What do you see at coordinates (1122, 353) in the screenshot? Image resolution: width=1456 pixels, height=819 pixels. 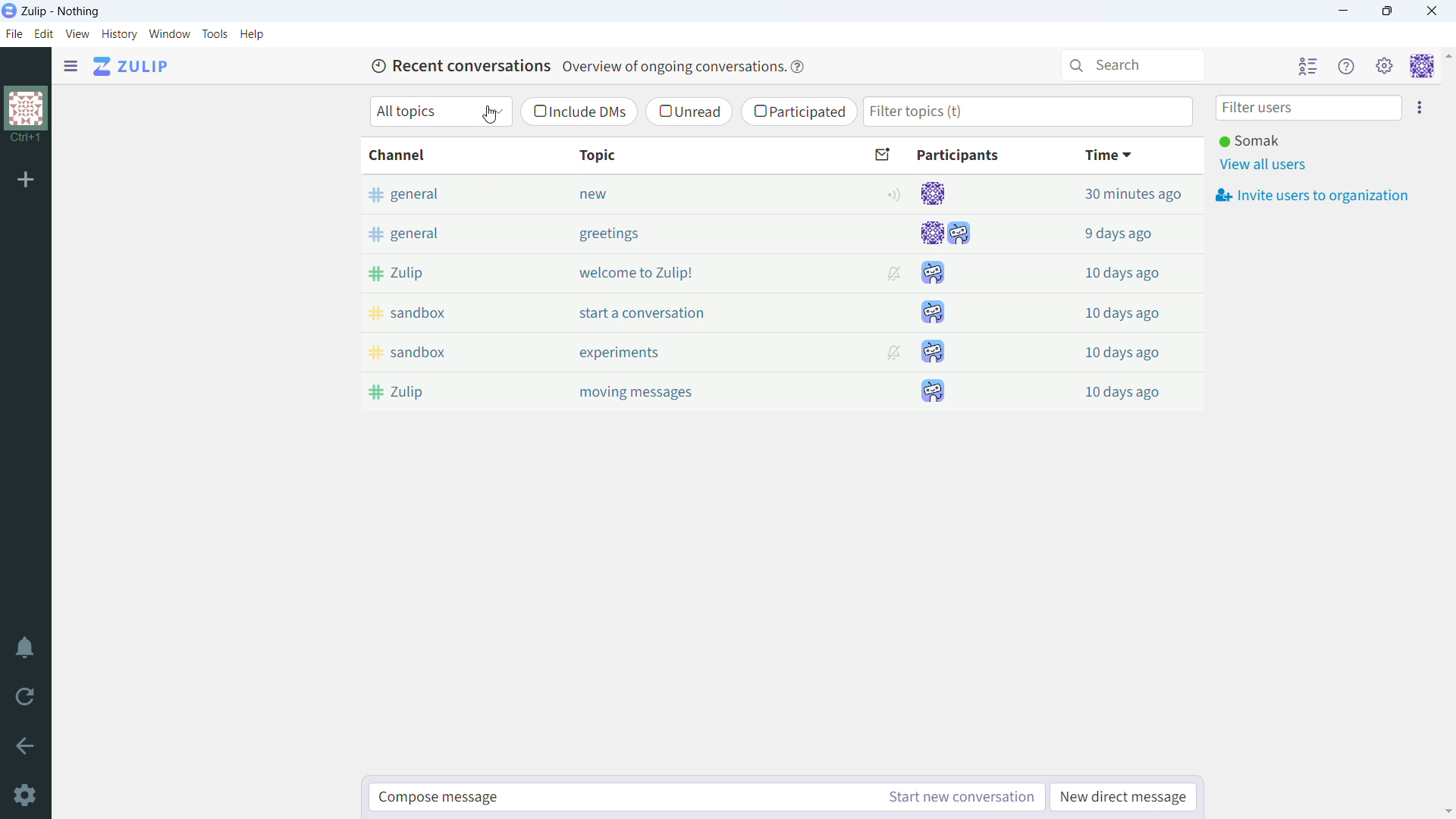 I see `10 days ago` at bounding box center [1122, 353].